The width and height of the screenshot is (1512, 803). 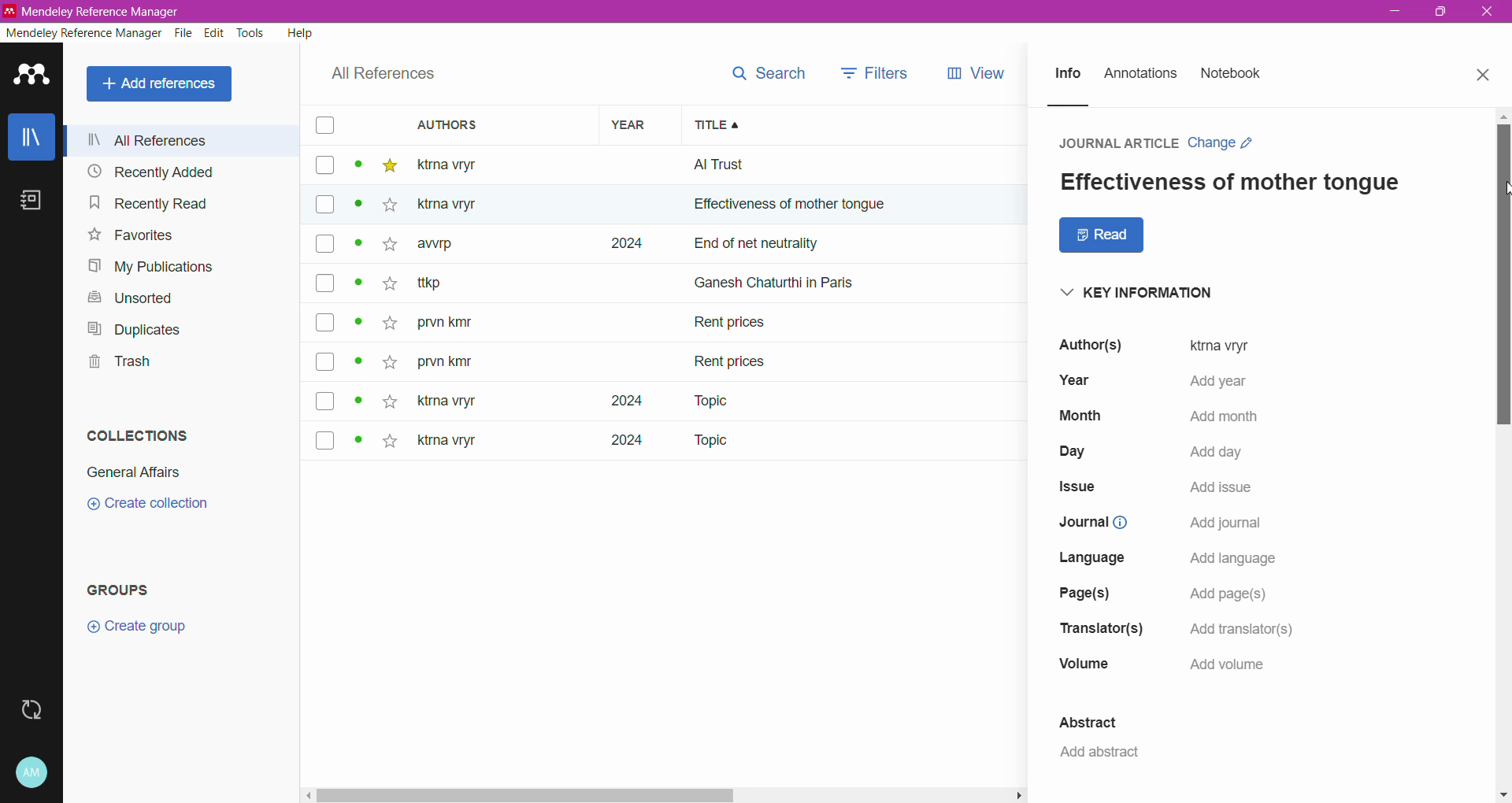 I want to click on Click to add abstract, so click(x=1095, y=753).